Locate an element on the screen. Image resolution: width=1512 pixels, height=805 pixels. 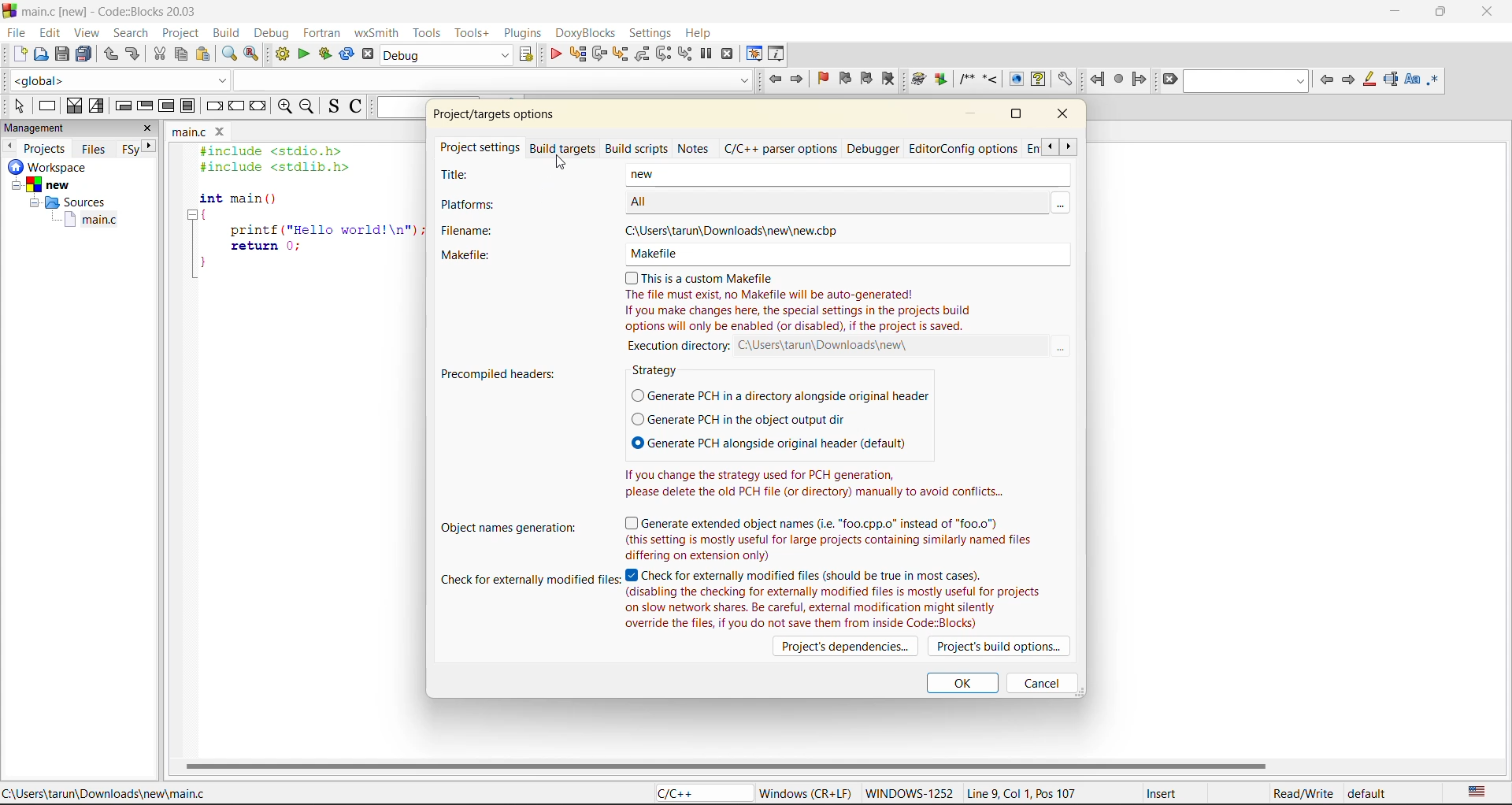
next line is located at coordinates (599, 53).